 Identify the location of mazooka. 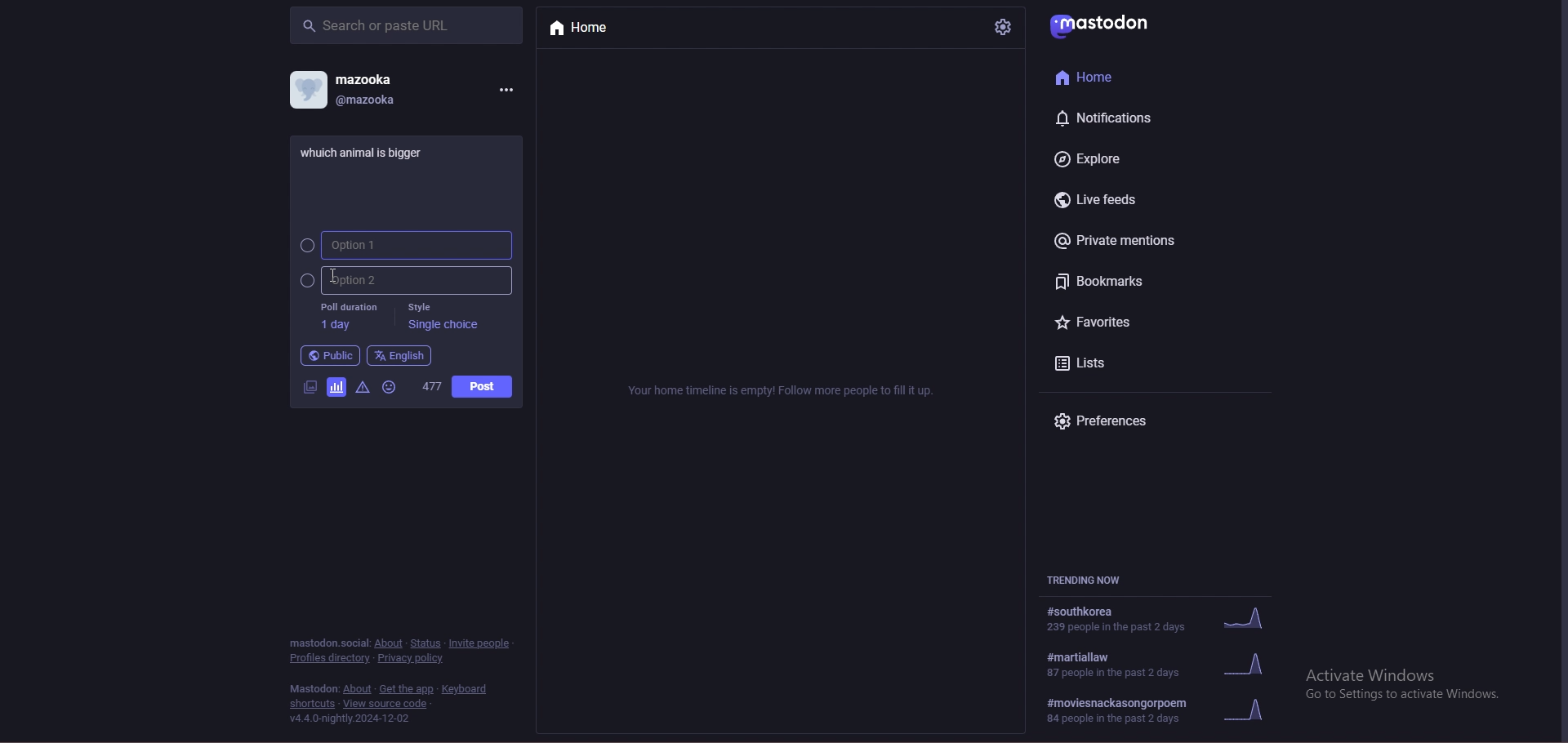
(367, 78).